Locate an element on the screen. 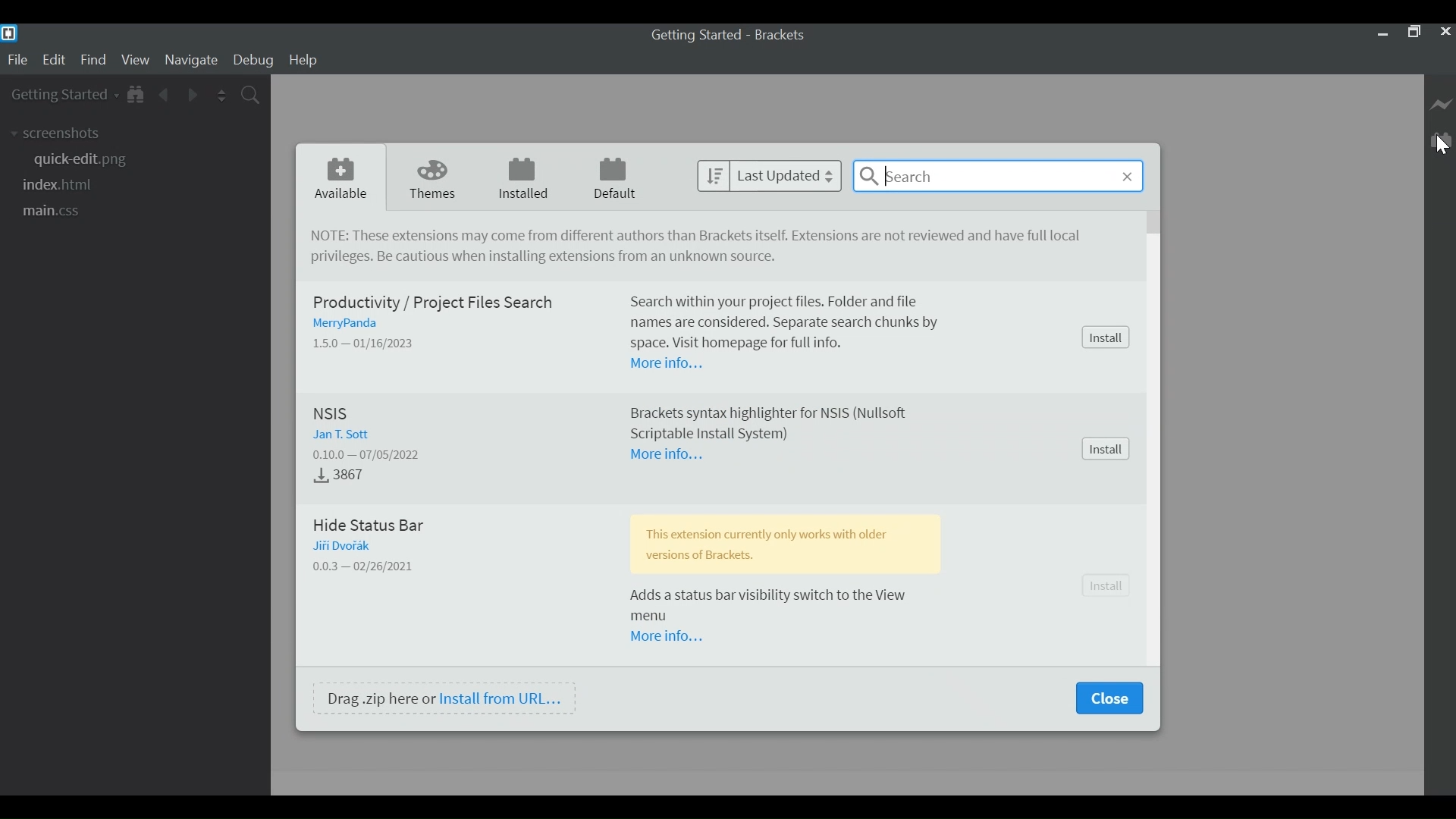 This screenshot has width=1456, height=819. Close is located at coordinates (1445, 32).